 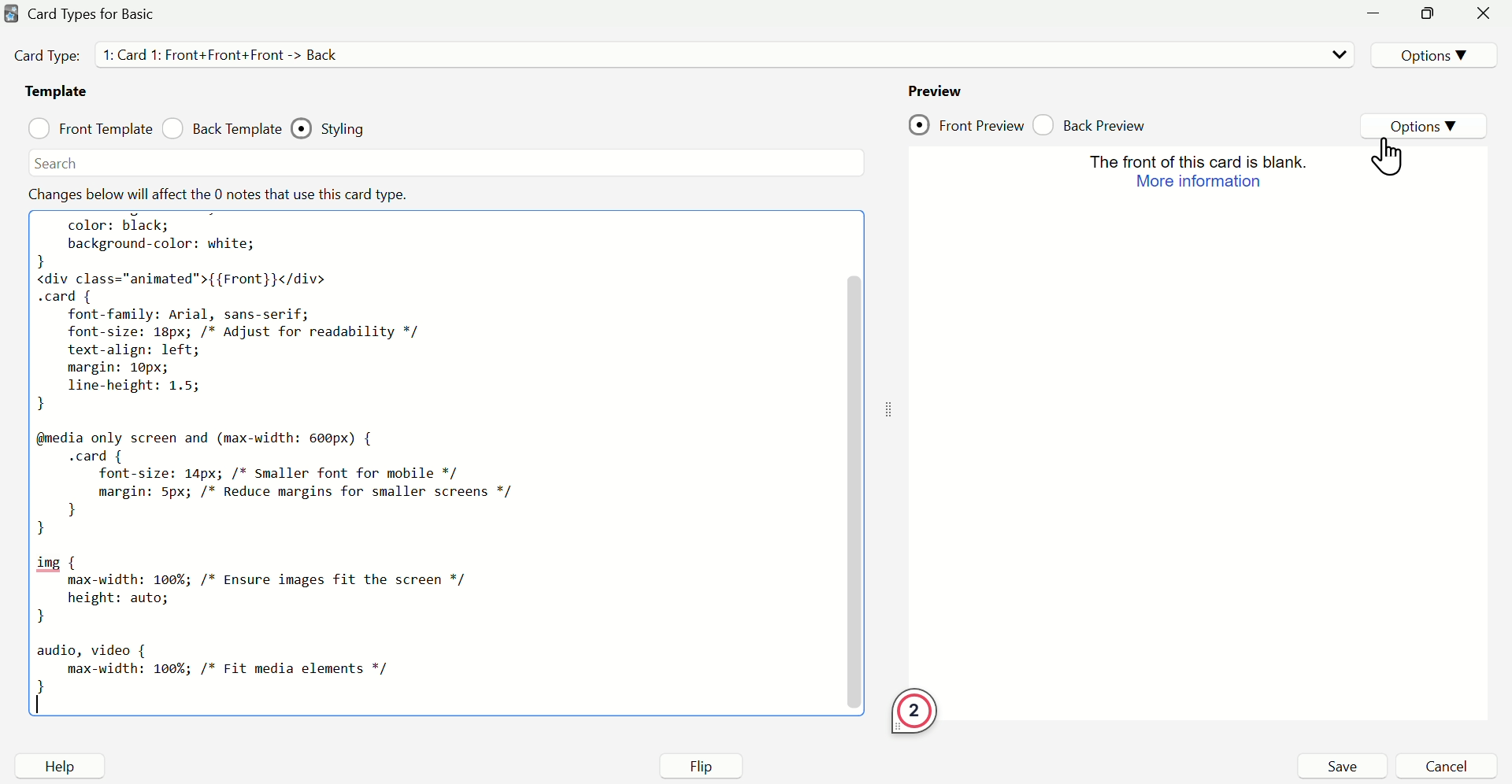 I want to click on 2, so click(x=917, y=717).